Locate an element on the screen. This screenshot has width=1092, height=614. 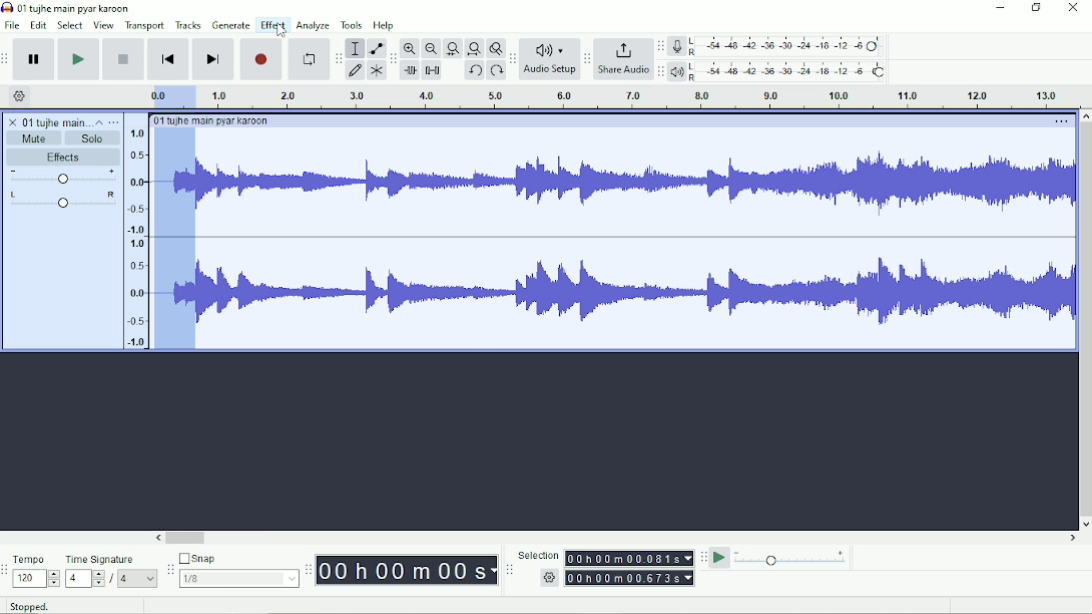
Audio Waves is located at coordinates (637, 186).